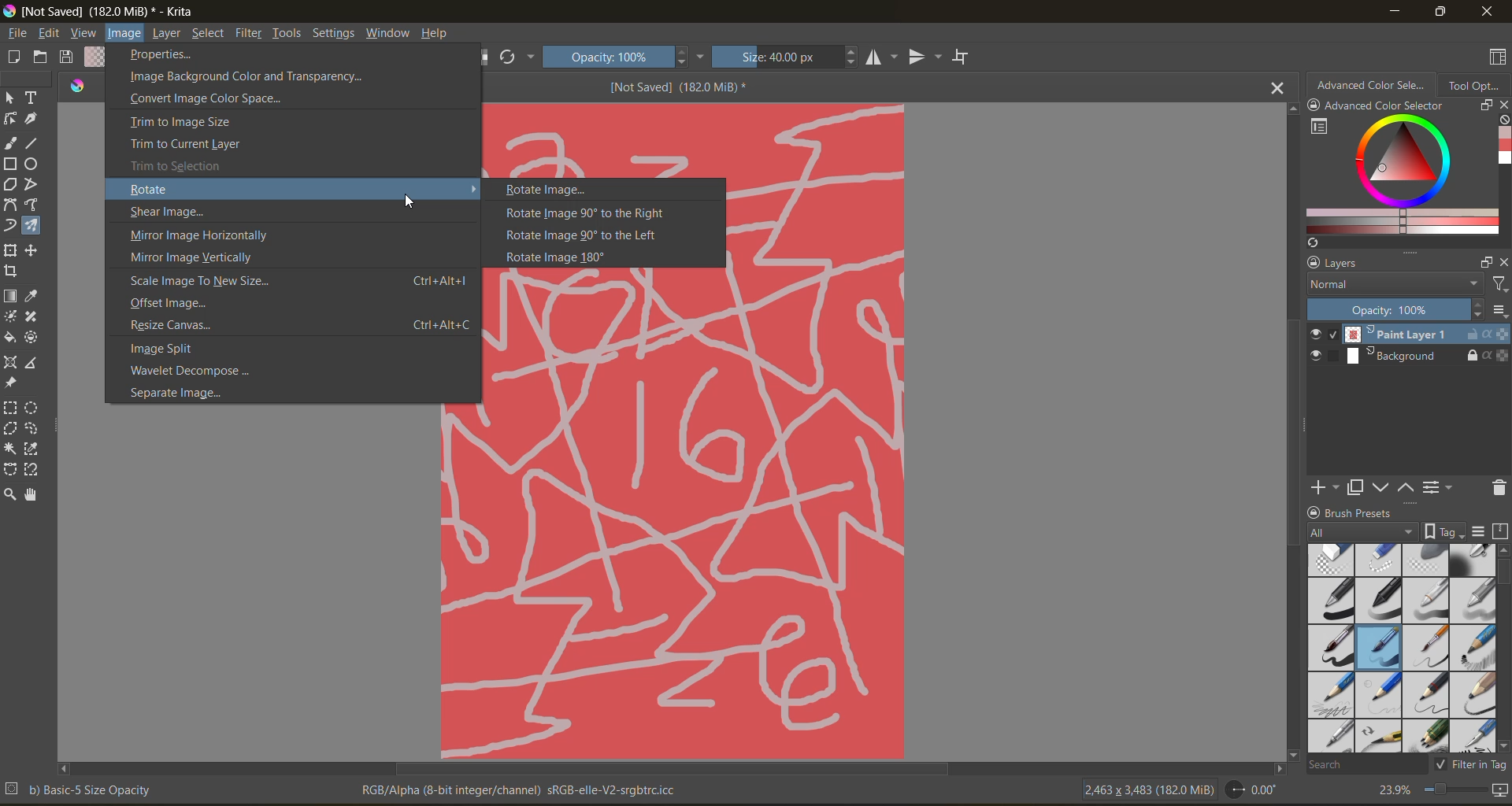  Describe the element at coordinates (1440, 488) in the screenshot. I see `view or change layer` at that location.